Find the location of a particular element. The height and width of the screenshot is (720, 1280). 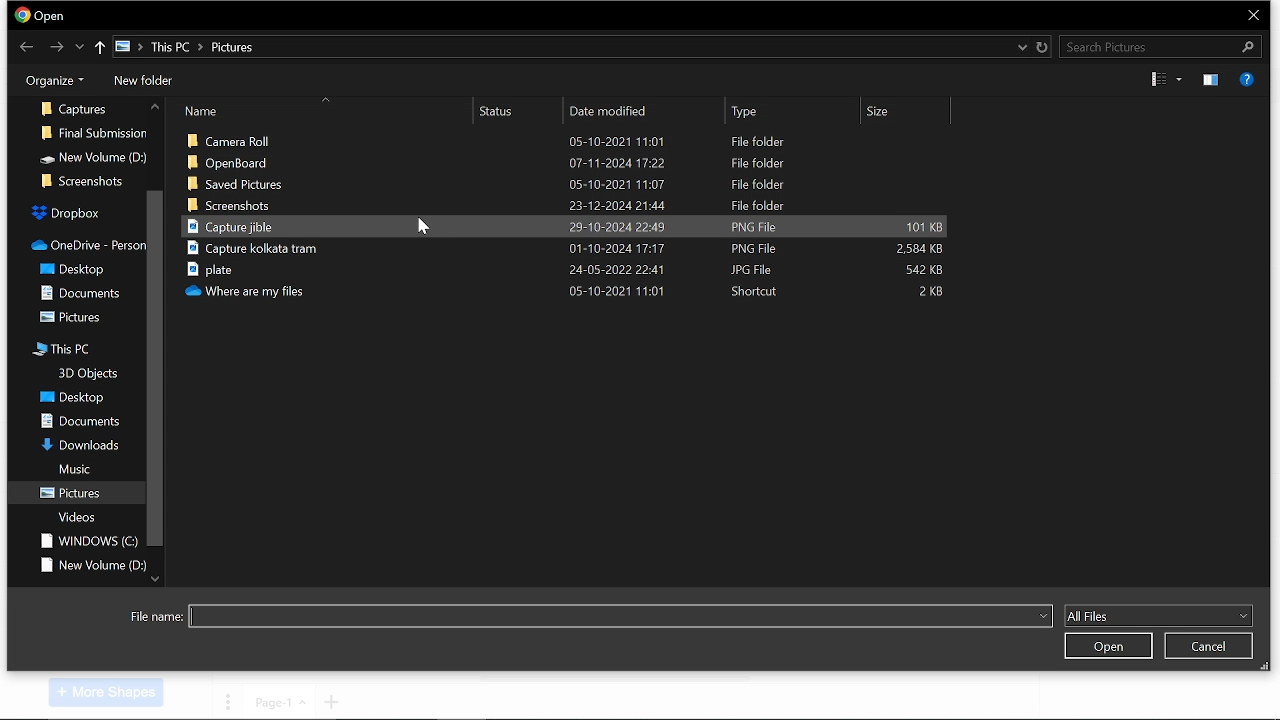

move up is located at coordinates (152, 108).